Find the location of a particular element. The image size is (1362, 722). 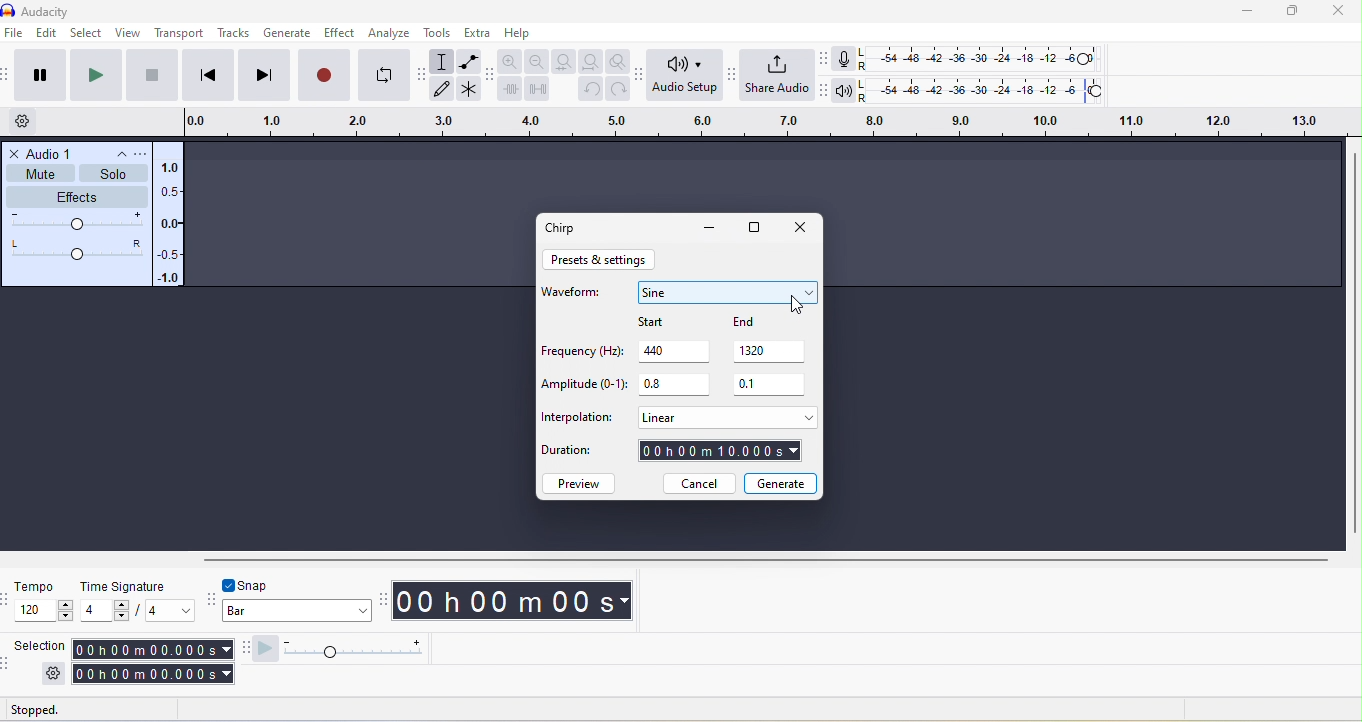

audacity snapping toolbar is located at coordinates (213, 597).